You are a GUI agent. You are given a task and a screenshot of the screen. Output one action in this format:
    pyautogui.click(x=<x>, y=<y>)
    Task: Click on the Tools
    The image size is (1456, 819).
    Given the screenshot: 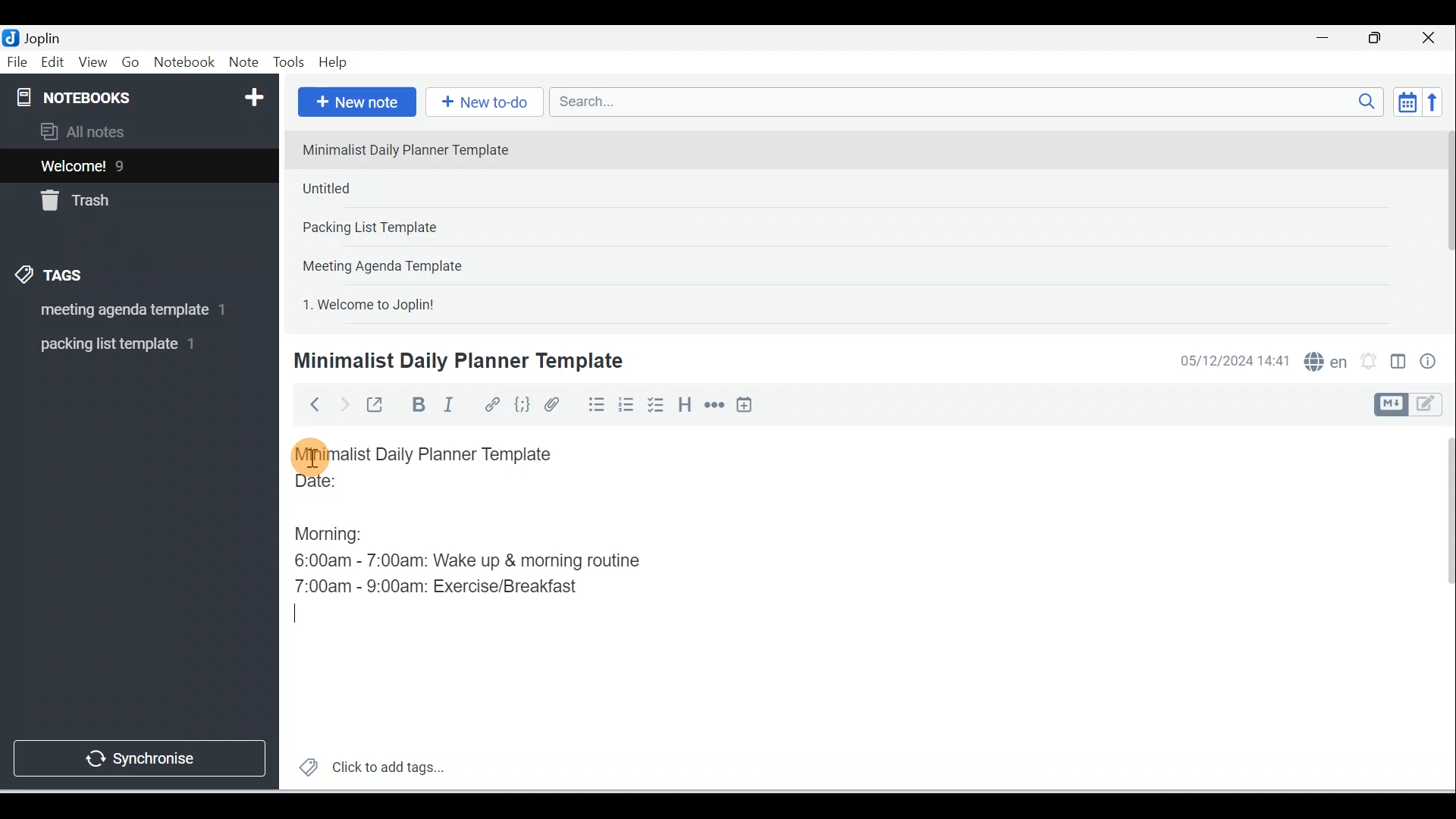 What is the action you would take?
    pyautogui.click(x=288, y=62)
    